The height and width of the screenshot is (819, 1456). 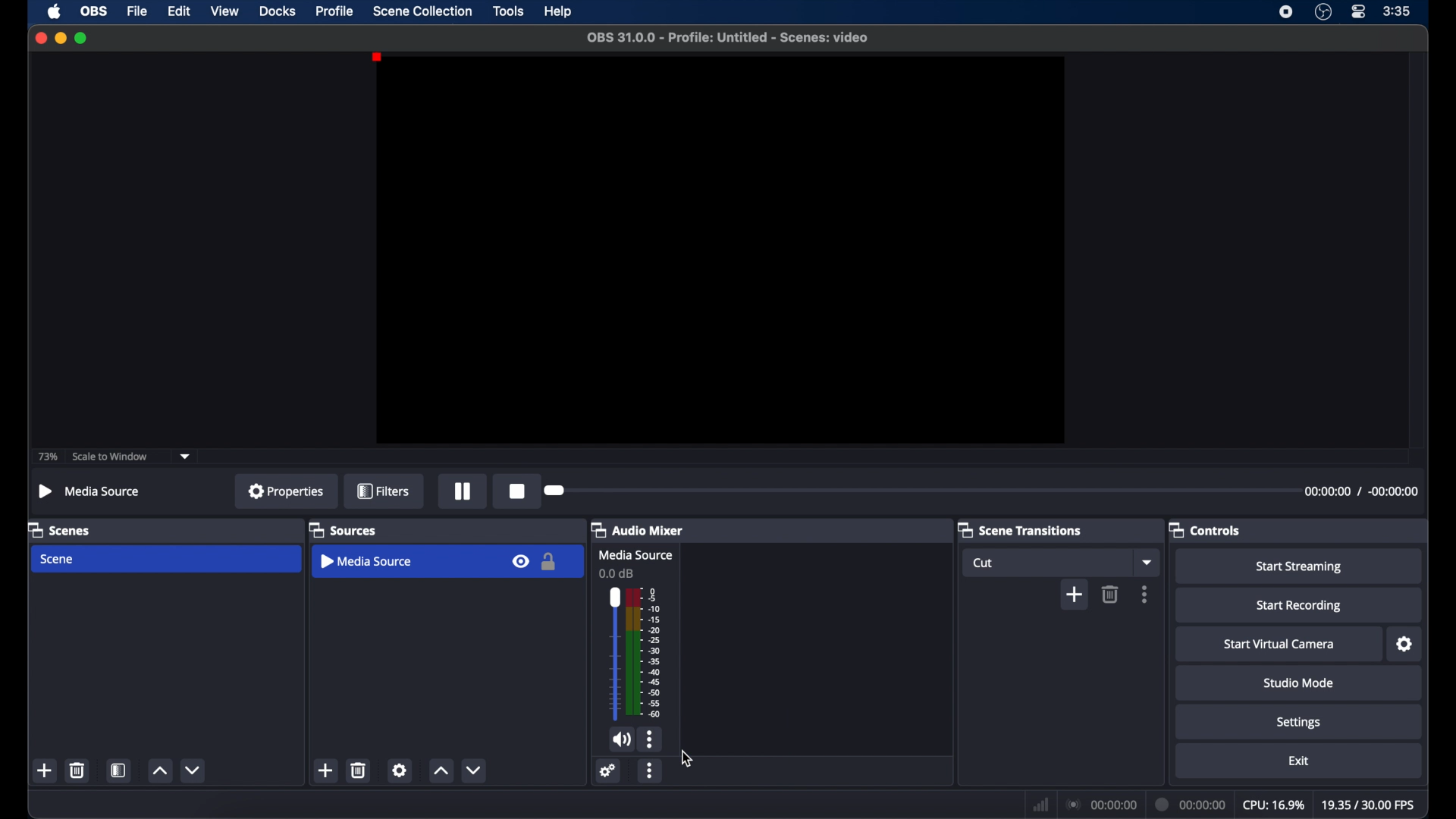 I want to click on volume, so click(x=632, y=654).